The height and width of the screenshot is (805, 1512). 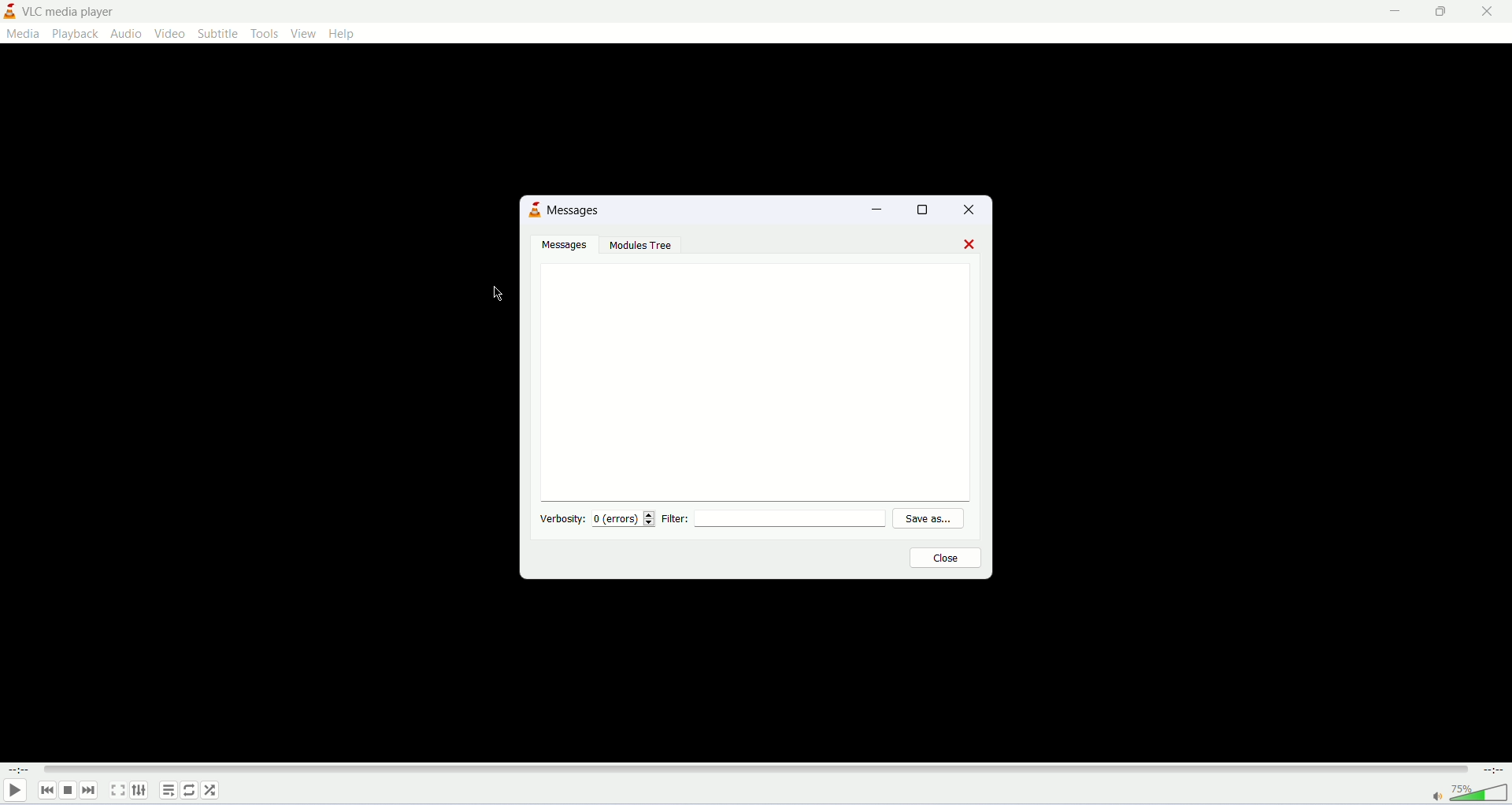 I want to click on close, so click(x=947, y=558).